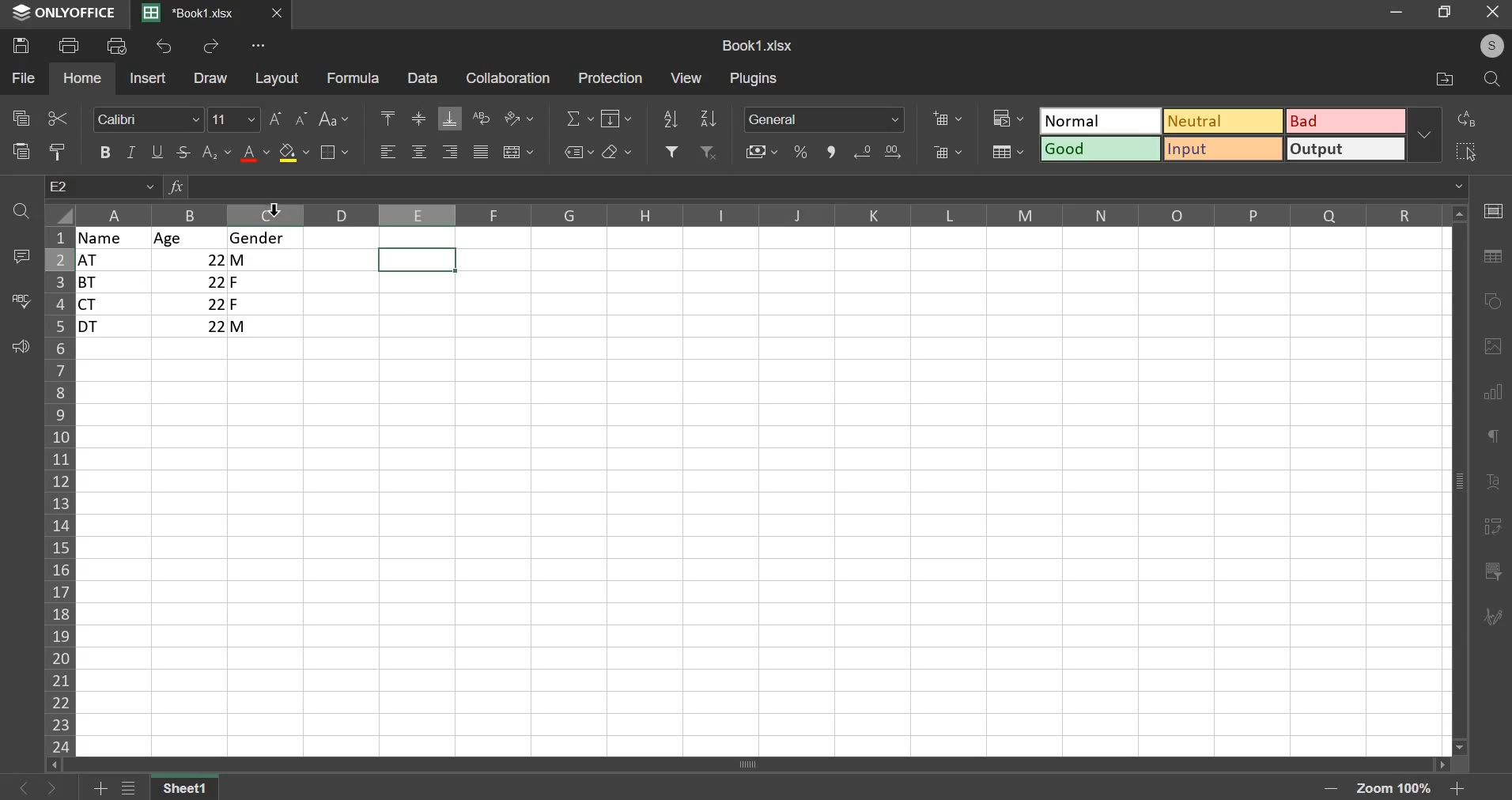 The height and width of the screenshot is (800, 1512). What do you see at coordinates (1490, 349) in the screenshot?
I see `image or video` at bounding box center [1490, 349].